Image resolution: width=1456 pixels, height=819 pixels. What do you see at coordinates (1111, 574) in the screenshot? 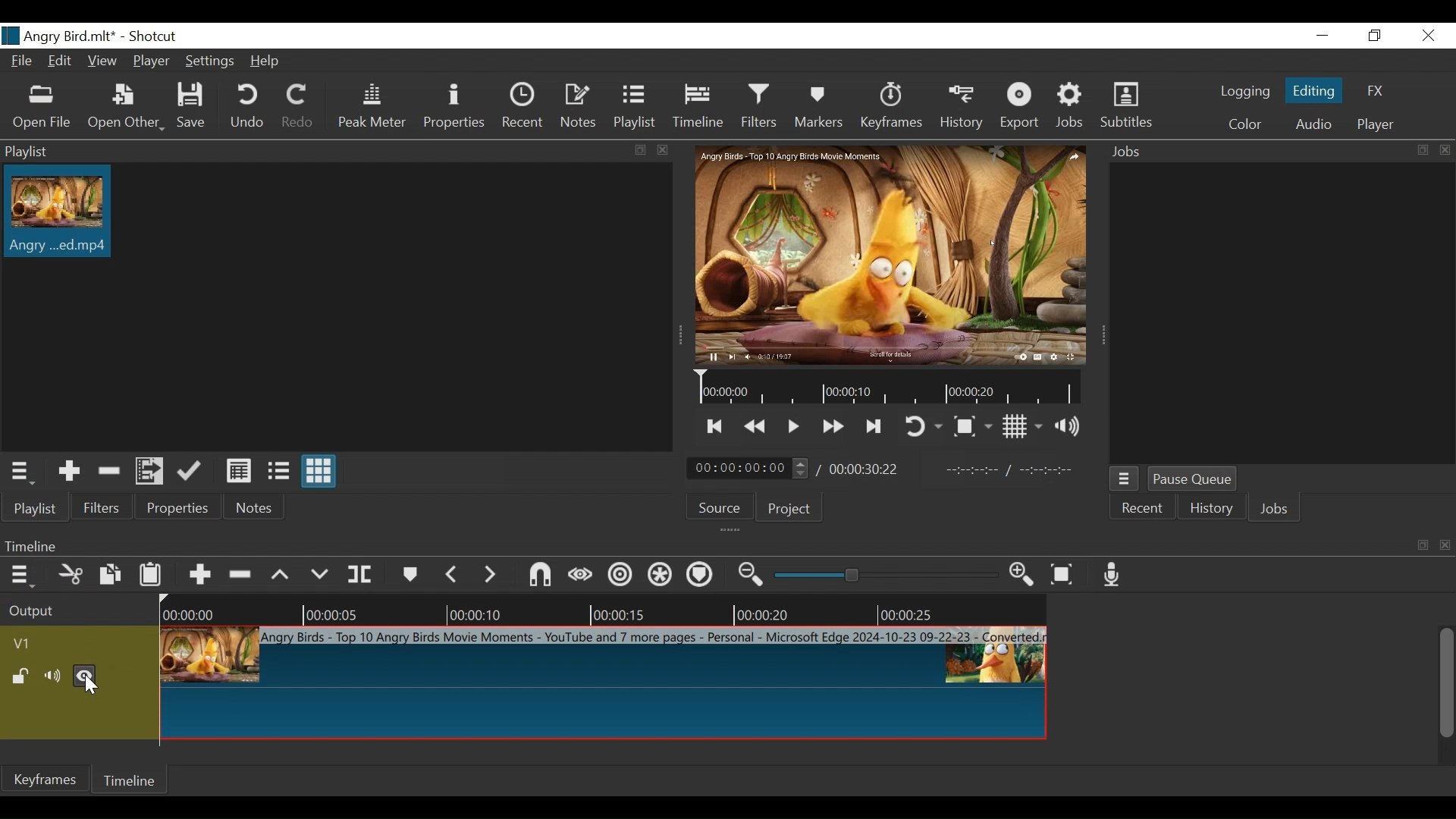
I see `Record audio` at bounding box center [1111, 574].